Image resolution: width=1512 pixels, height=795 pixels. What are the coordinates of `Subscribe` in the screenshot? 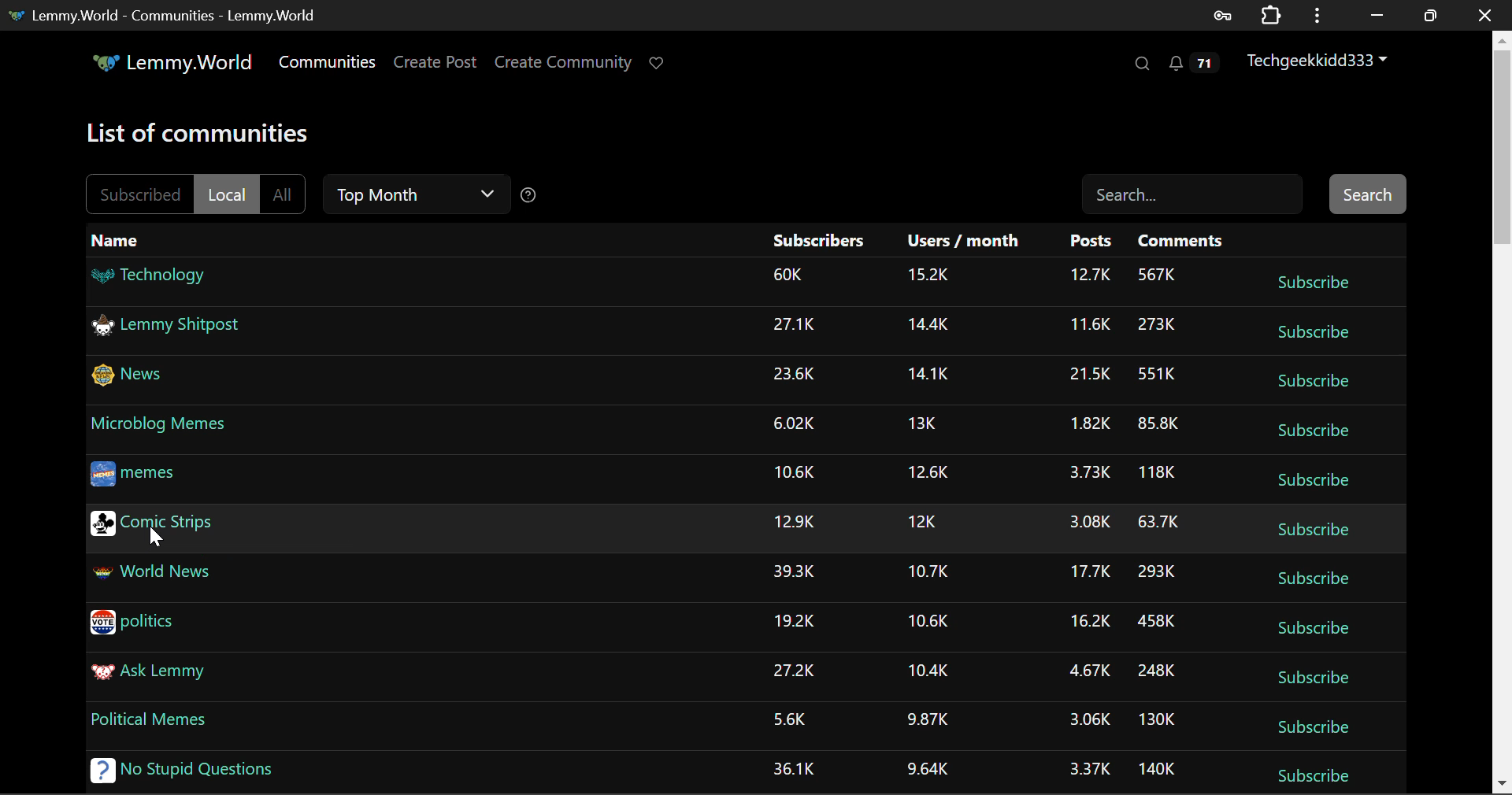 It's located at (1312, 331).